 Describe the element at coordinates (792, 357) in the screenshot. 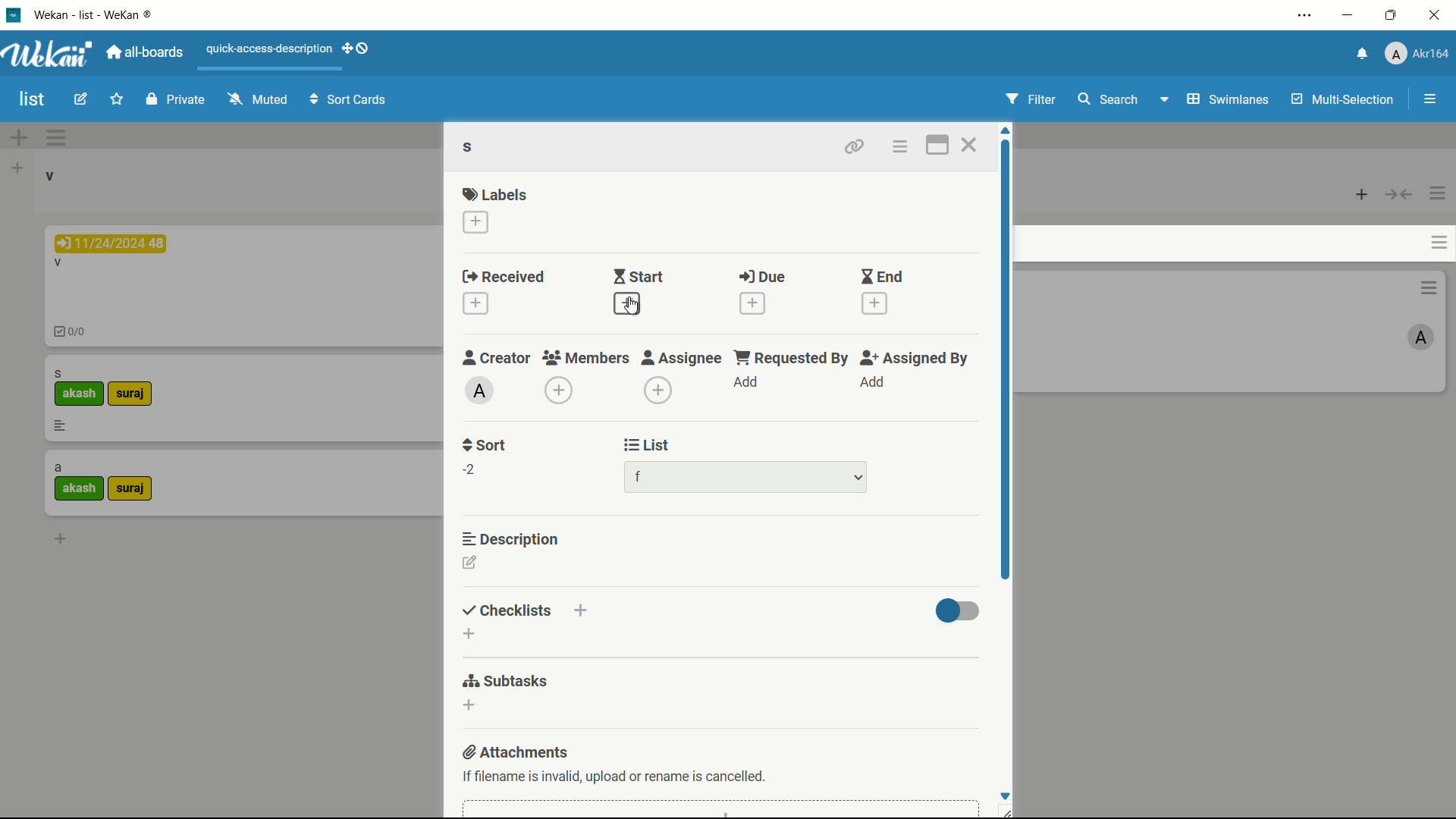

I see `requested by` at that location.